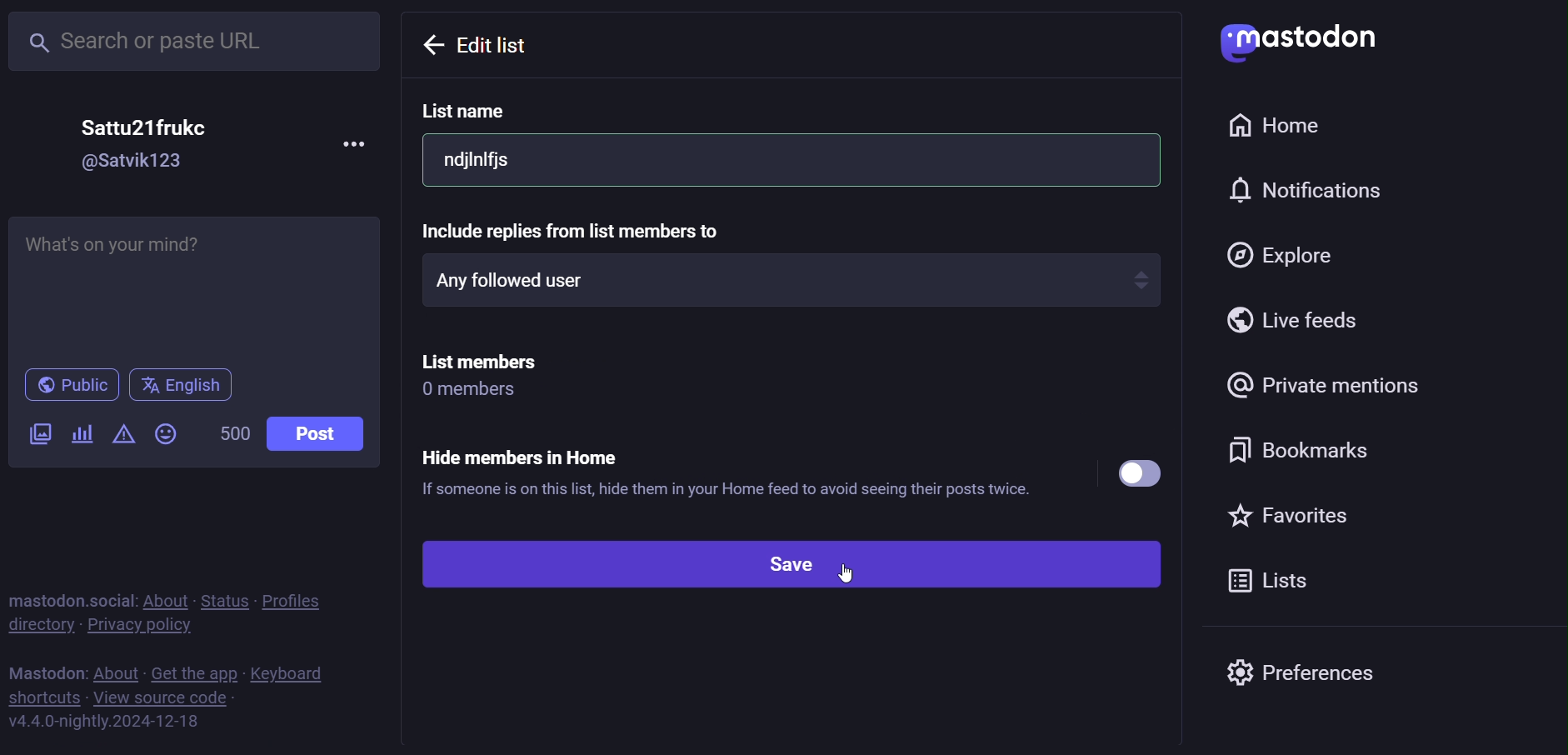 The image size is (1568, 755). Describe the element at coordinates (294, 673) in the screenshot. I see `keyboard` at that location.